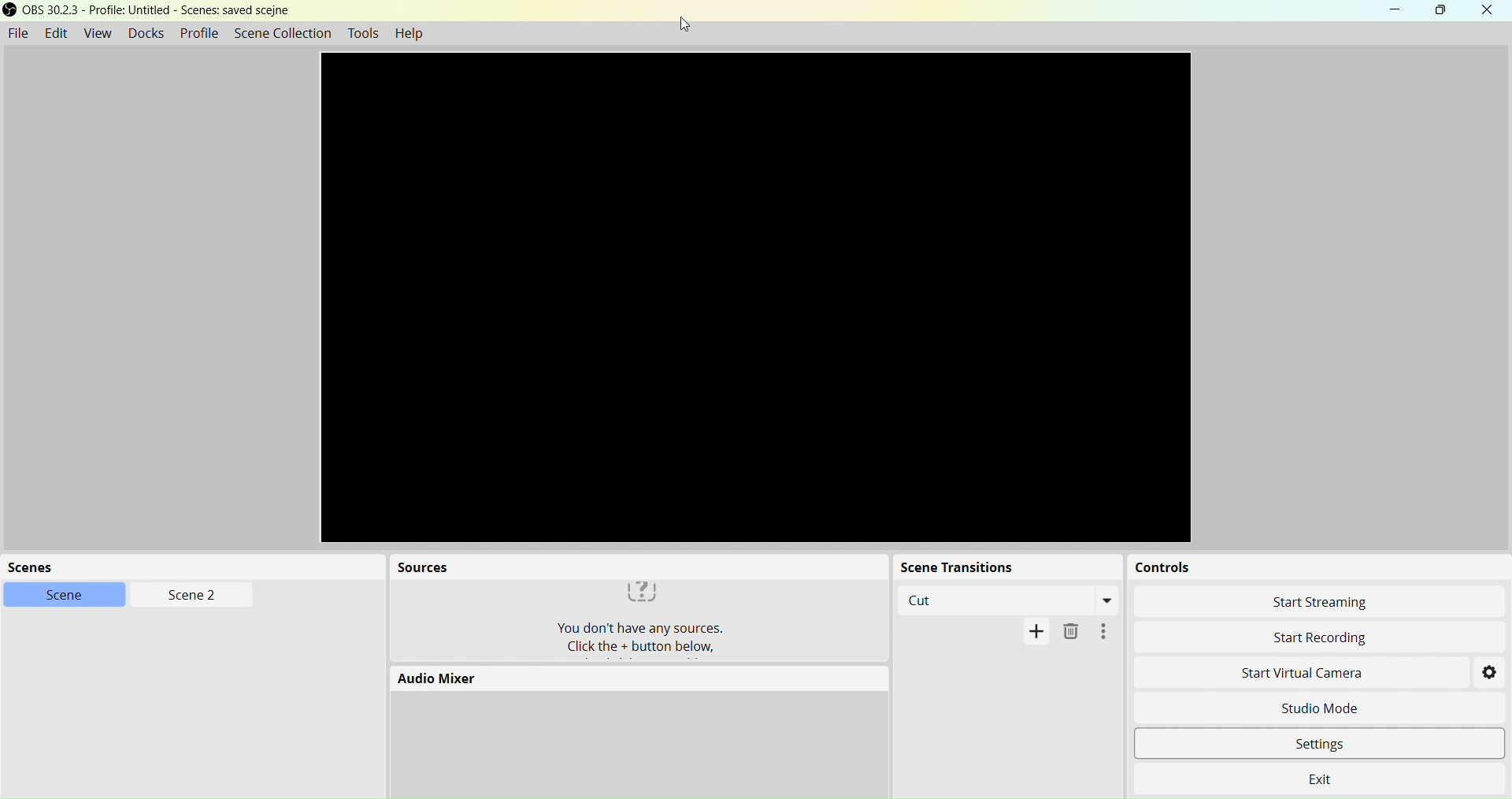  Describe the element at coordinates (1301, 569) in the screenshot. I see `Controls` at that location.